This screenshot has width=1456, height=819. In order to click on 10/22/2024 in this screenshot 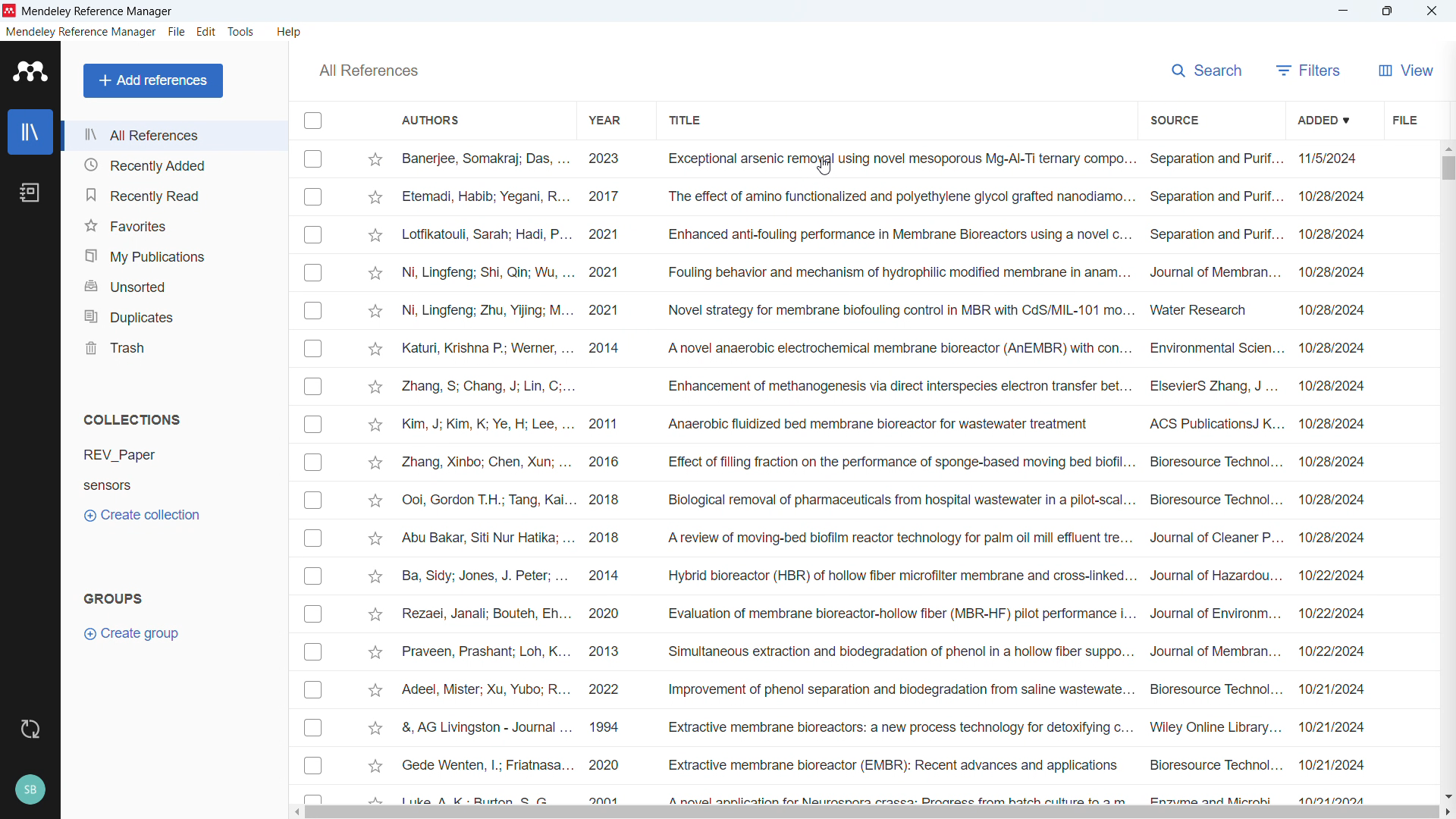, I will do `click(1341, 613)`.